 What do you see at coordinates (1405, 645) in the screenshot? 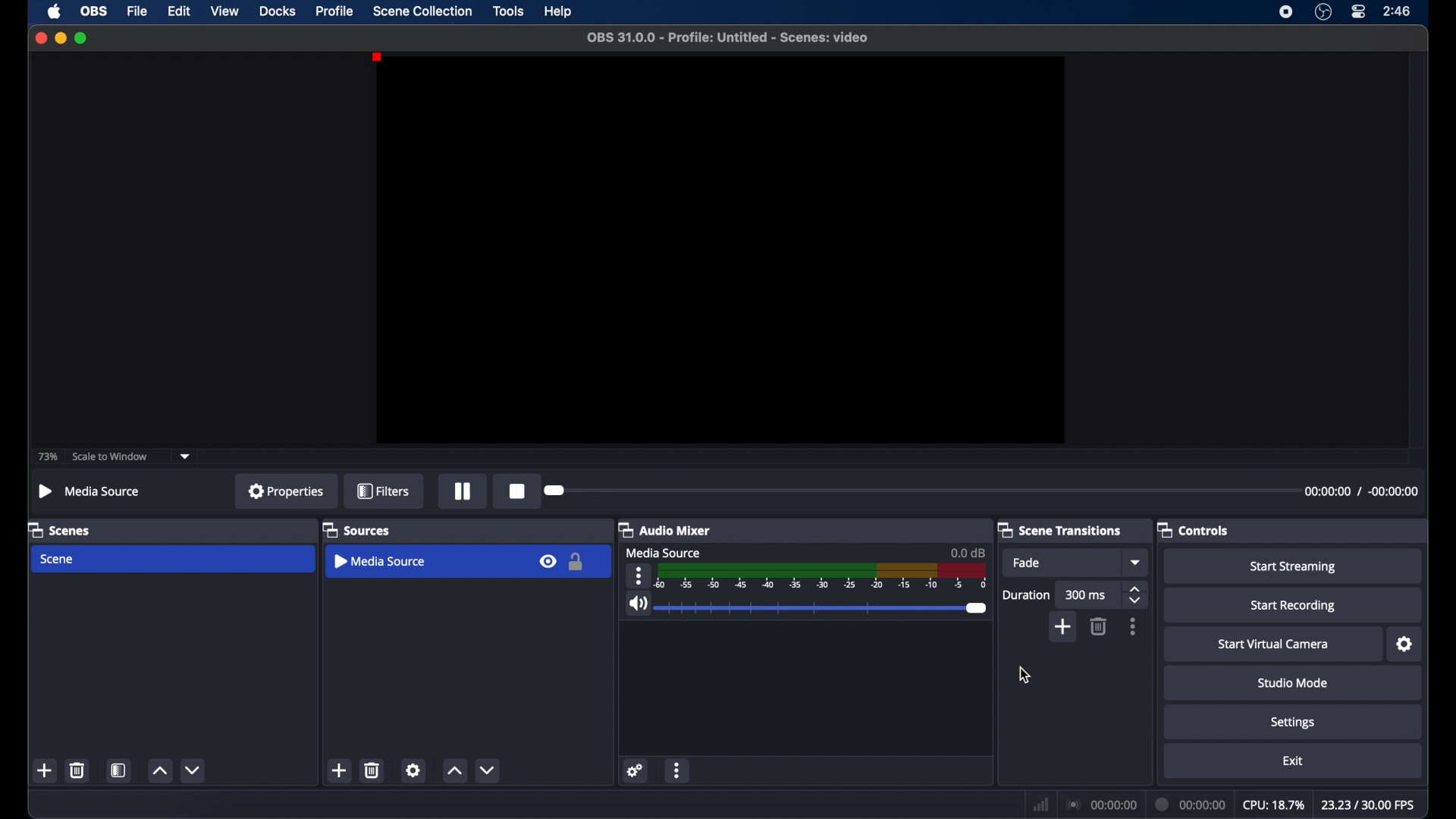
I see `settings` at bounding box center [1405, 645].